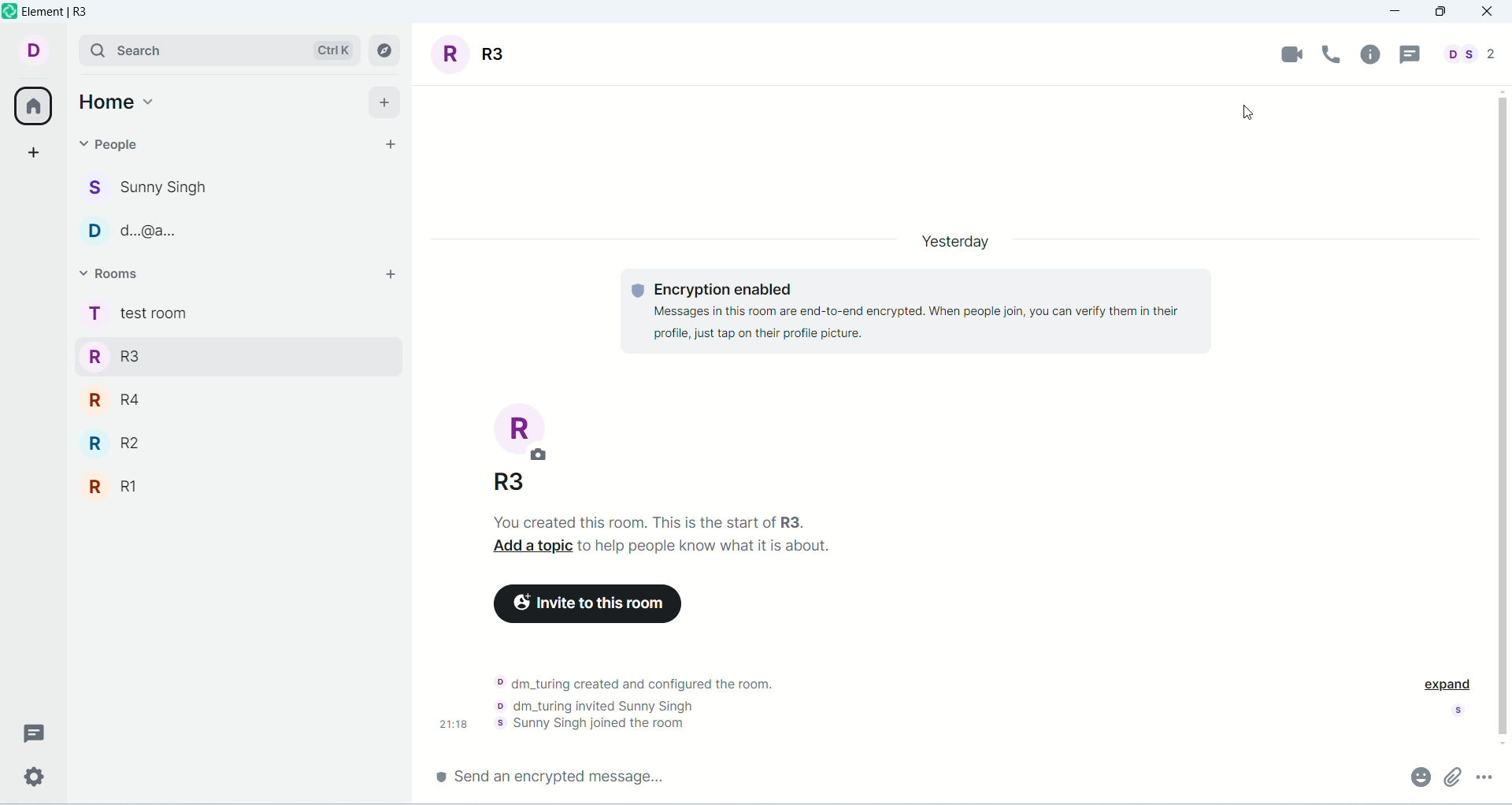 This screenshot has width=1512, height=805. What do you see at coordinates (387, 50) in the screenshot?
I see `explore rooms` at bounding box center [387, 50].